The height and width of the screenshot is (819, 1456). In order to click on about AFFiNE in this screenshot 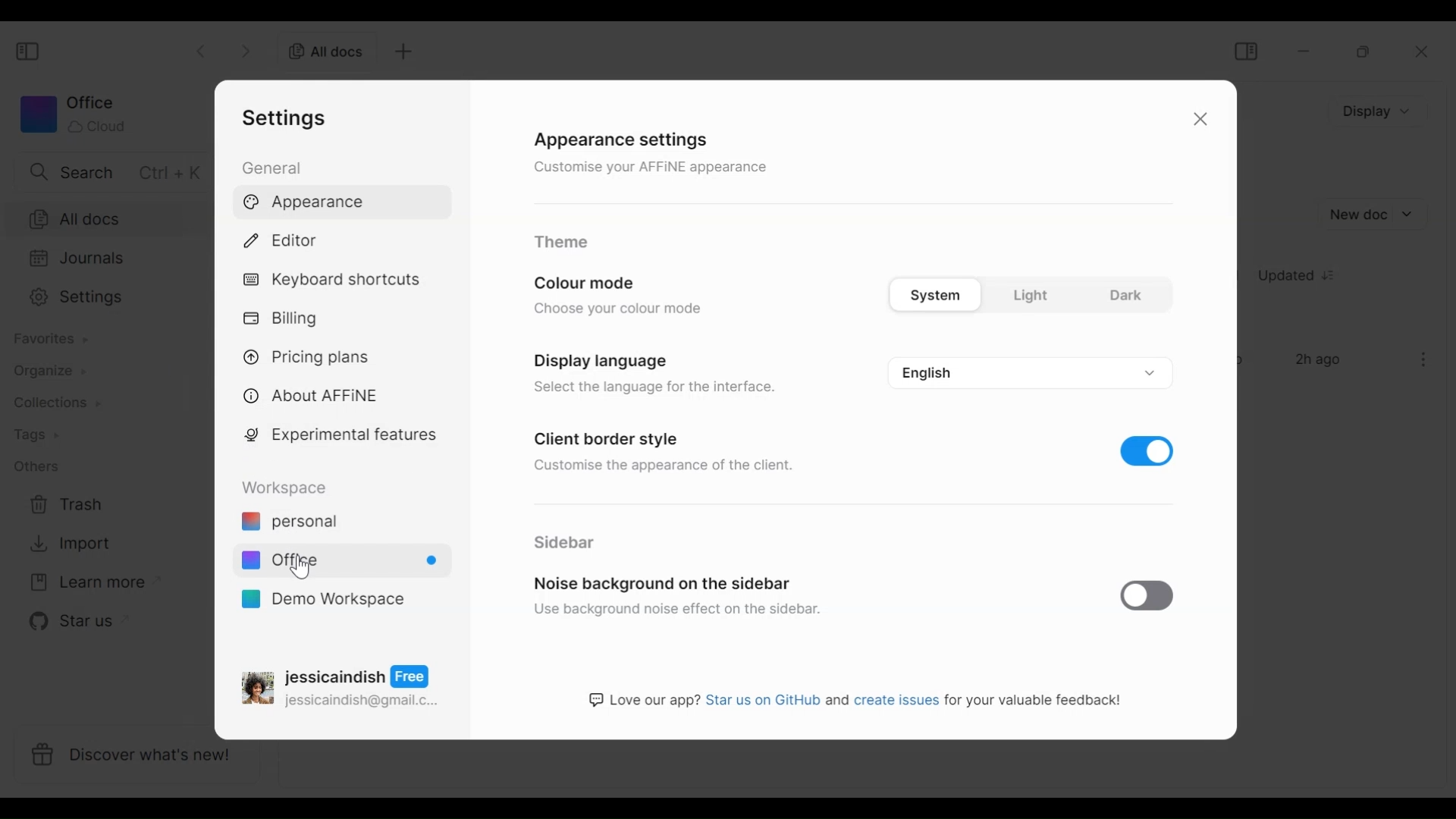, I will do `click(312, 397)`.